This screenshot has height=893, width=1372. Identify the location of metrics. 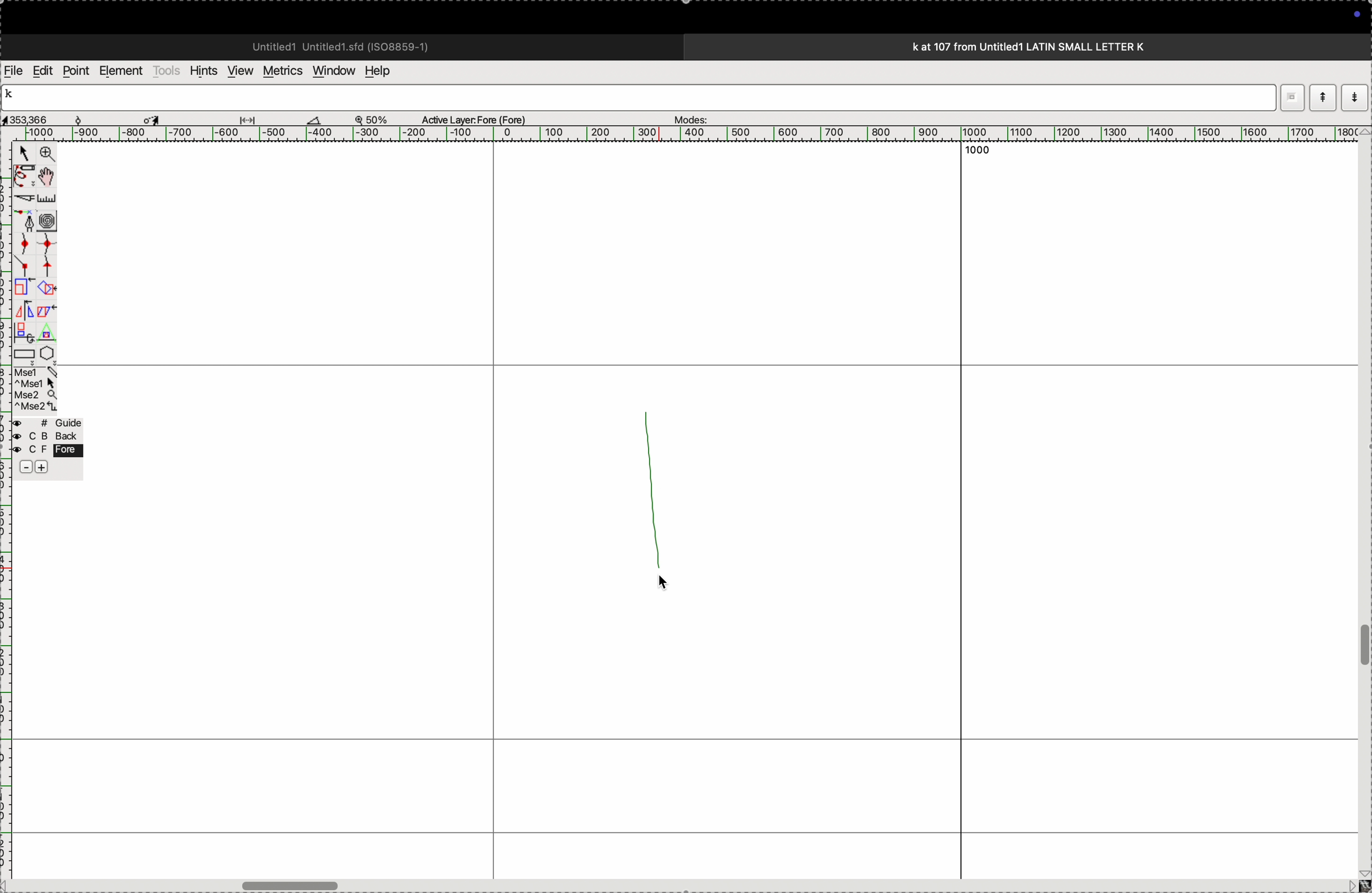
(281, 71).